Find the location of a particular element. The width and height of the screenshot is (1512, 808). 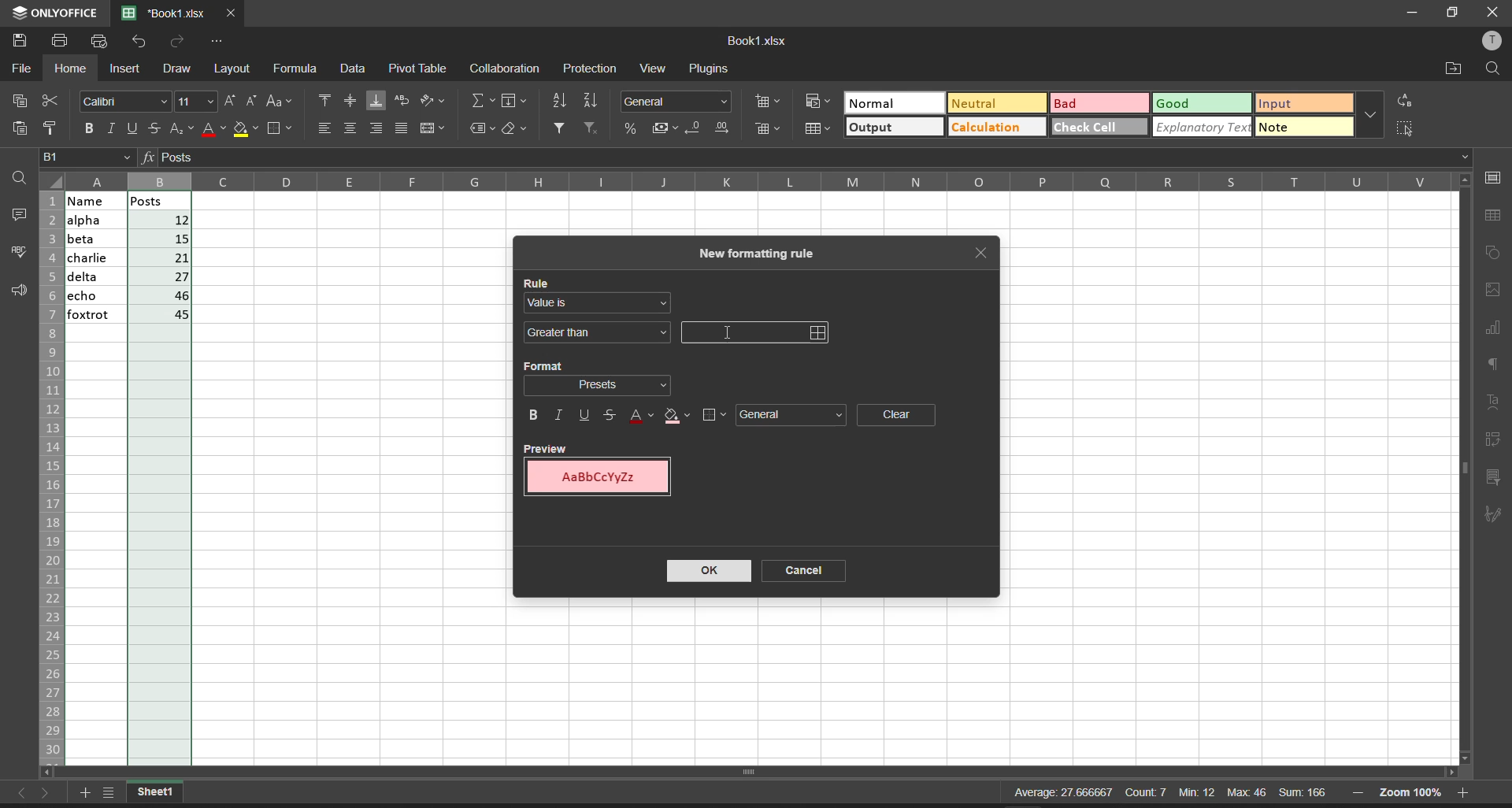

greater than is located at coordinates (596, 334).